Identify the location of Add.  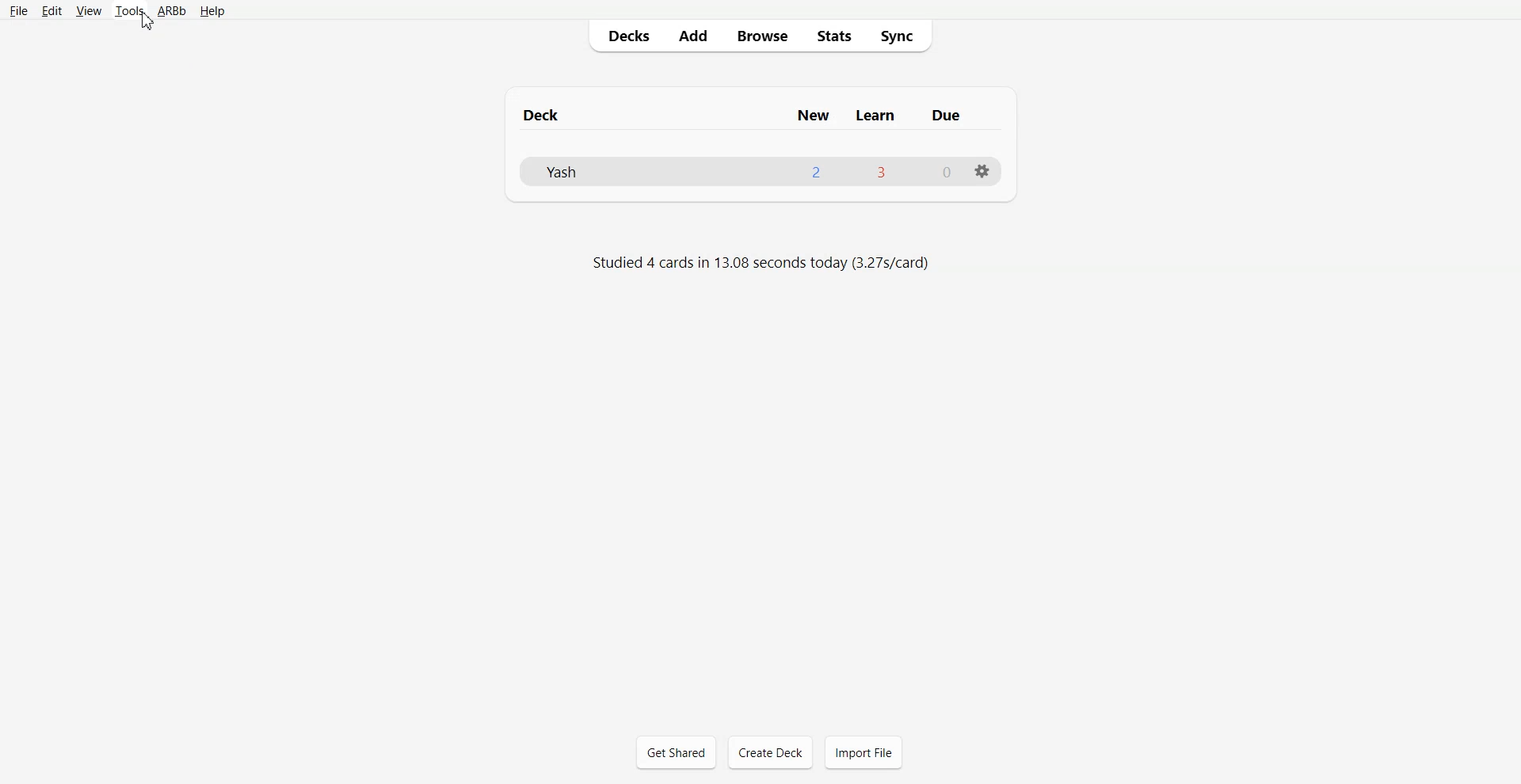
(692, 36).